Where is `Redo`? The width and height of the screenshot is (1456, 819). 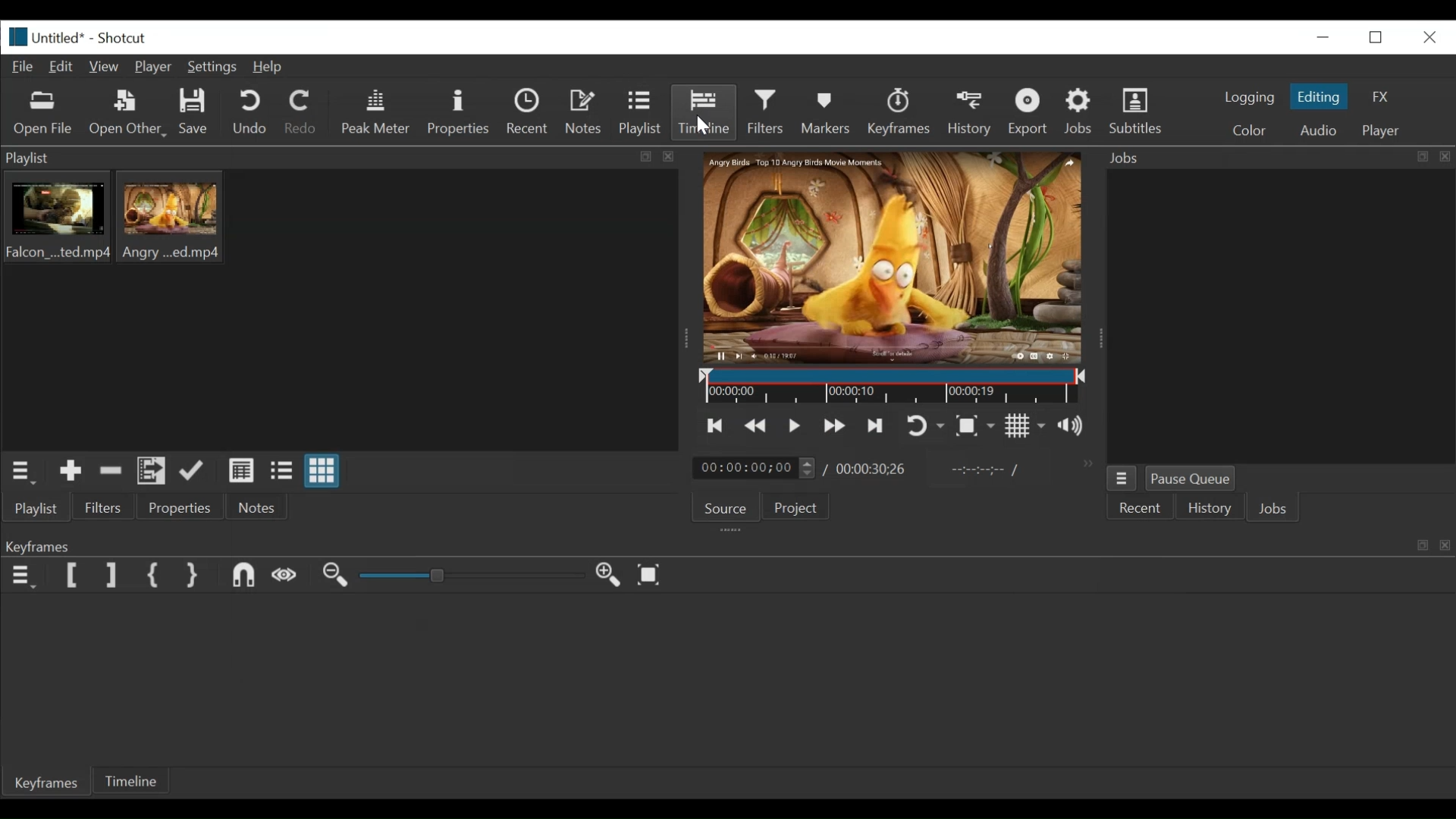 Redo is located at coordinates (301, 115).